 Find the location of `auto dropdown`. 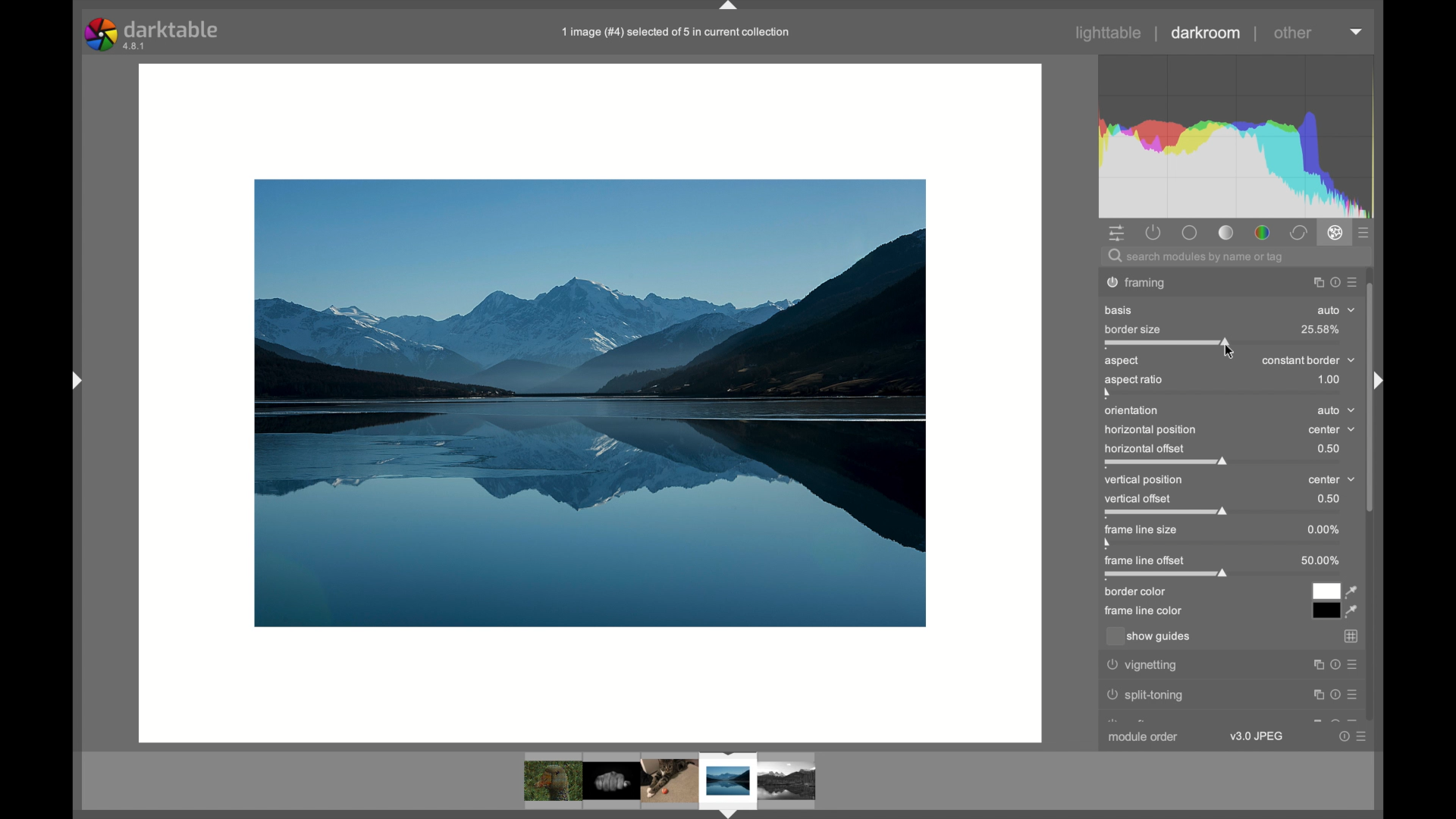

auto dropdown is located at coordinates (1336, 411).